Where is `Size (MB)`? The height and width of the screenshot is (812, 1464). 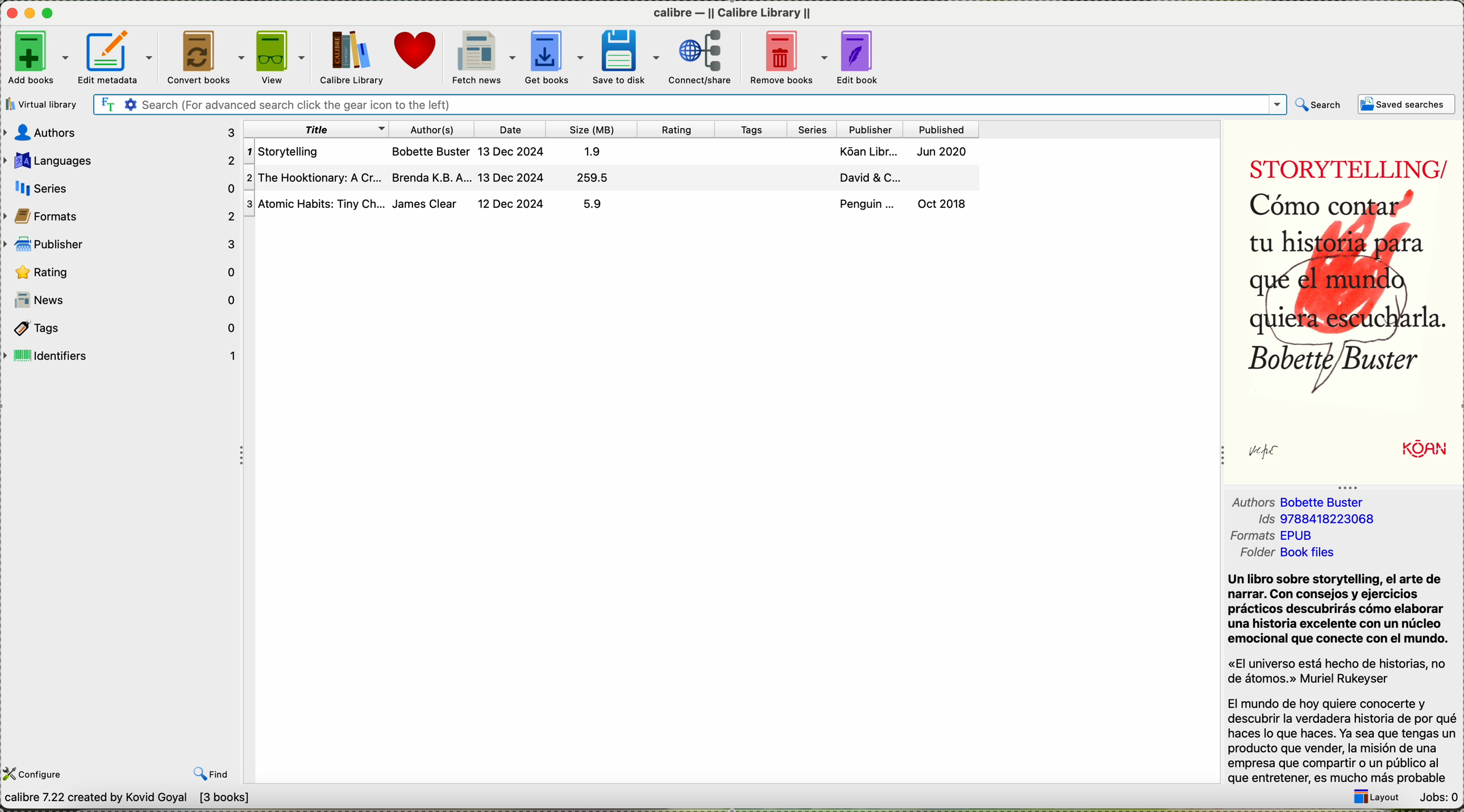
Size (MB) is located at coordinates (597, 129).